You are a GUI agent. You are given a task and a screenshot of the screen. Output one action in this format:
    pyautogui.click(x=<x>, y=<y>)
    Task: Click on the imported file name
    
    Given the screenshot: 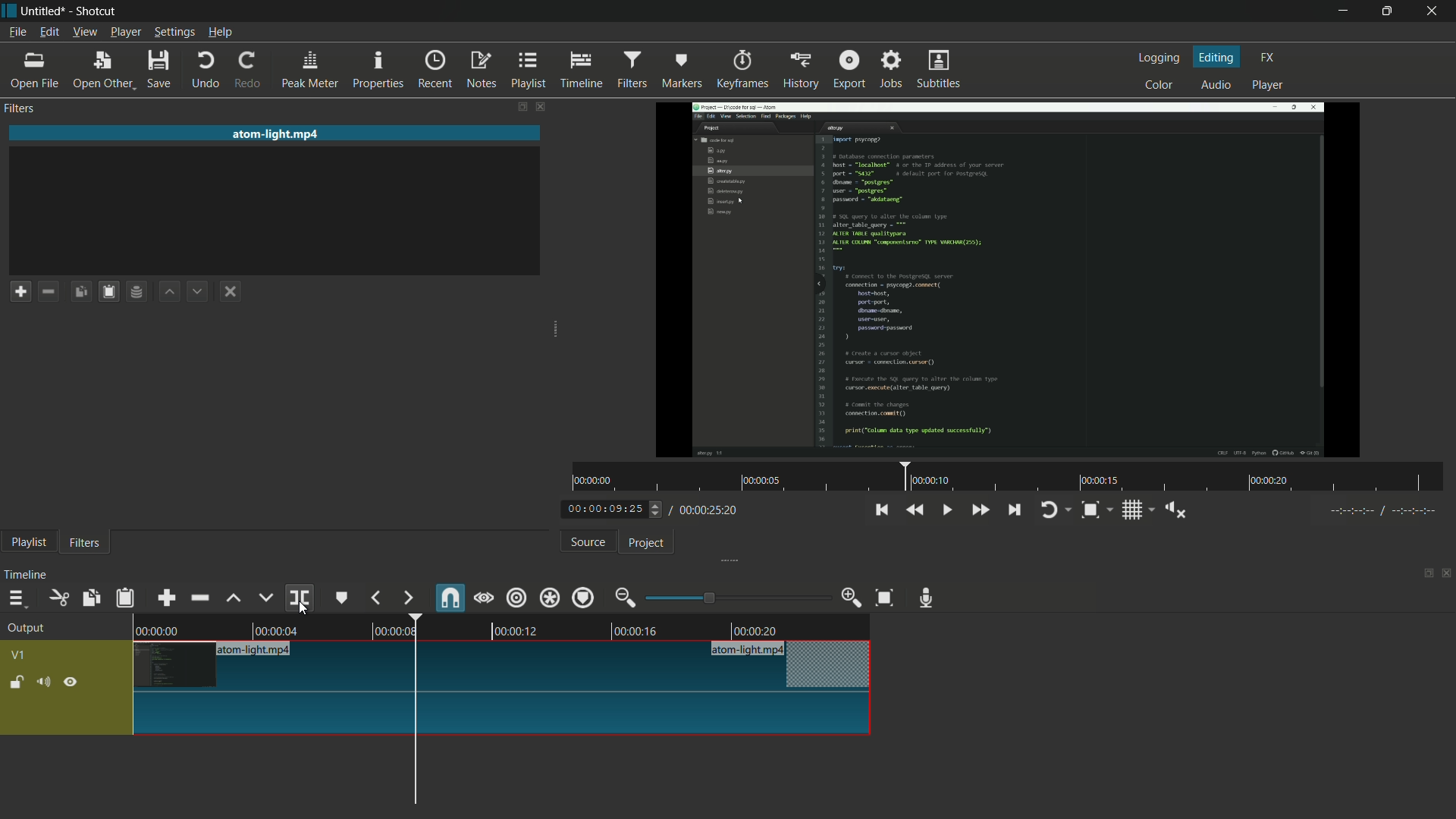 What is the action you would take?
    pyautogui.click(x=277, y=133)
    